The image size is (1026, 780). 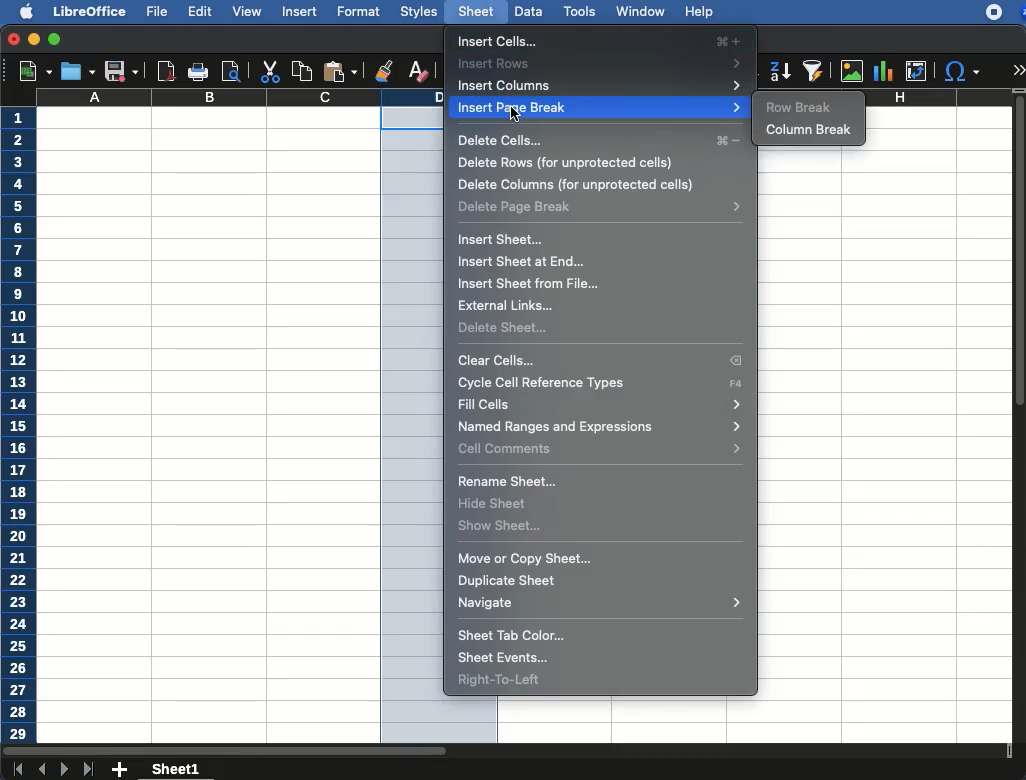 I want to click on first sheet, so click(x=17, y=770).